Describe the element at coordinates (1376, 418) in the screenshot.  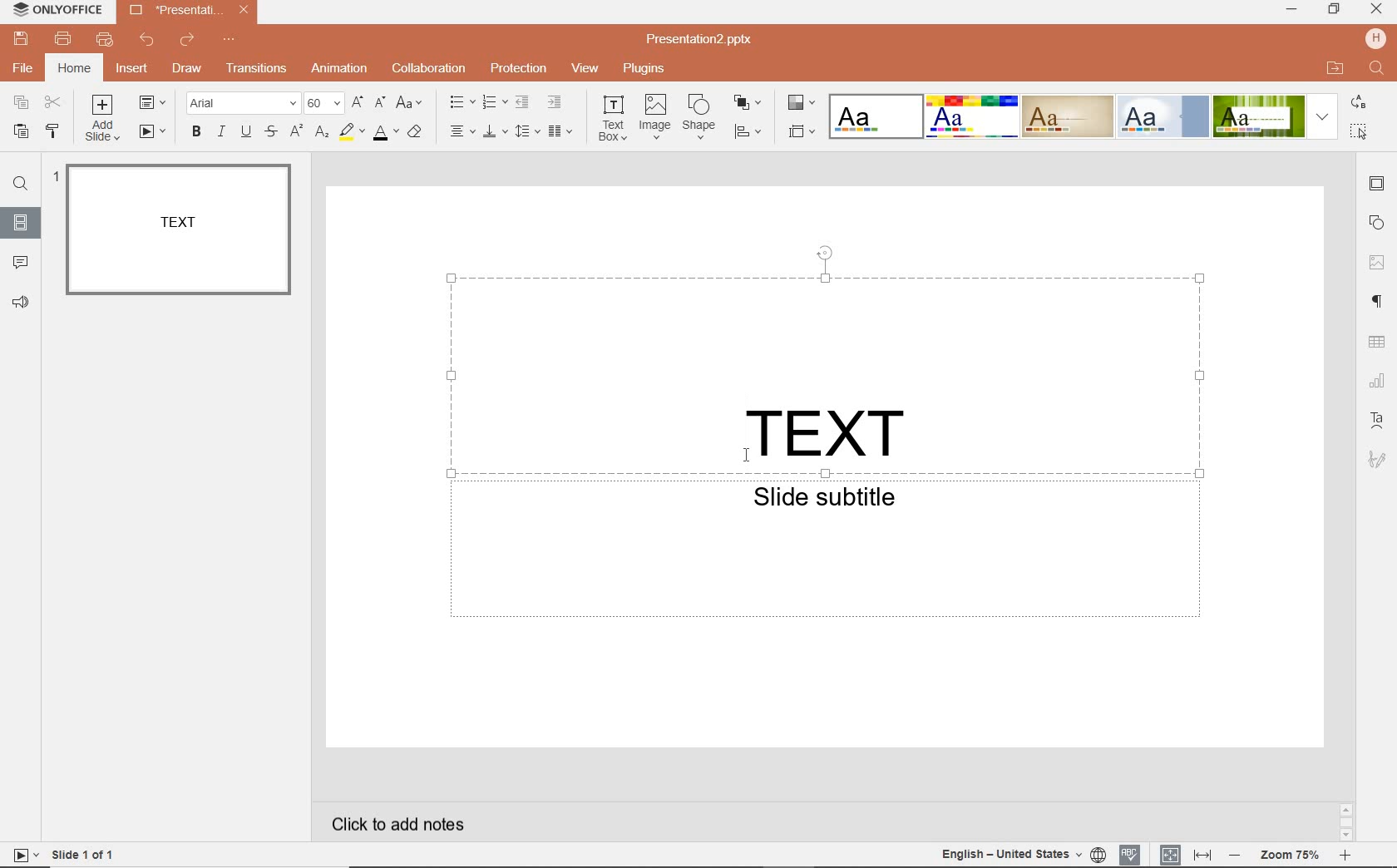
I see `TET ART` at that location.